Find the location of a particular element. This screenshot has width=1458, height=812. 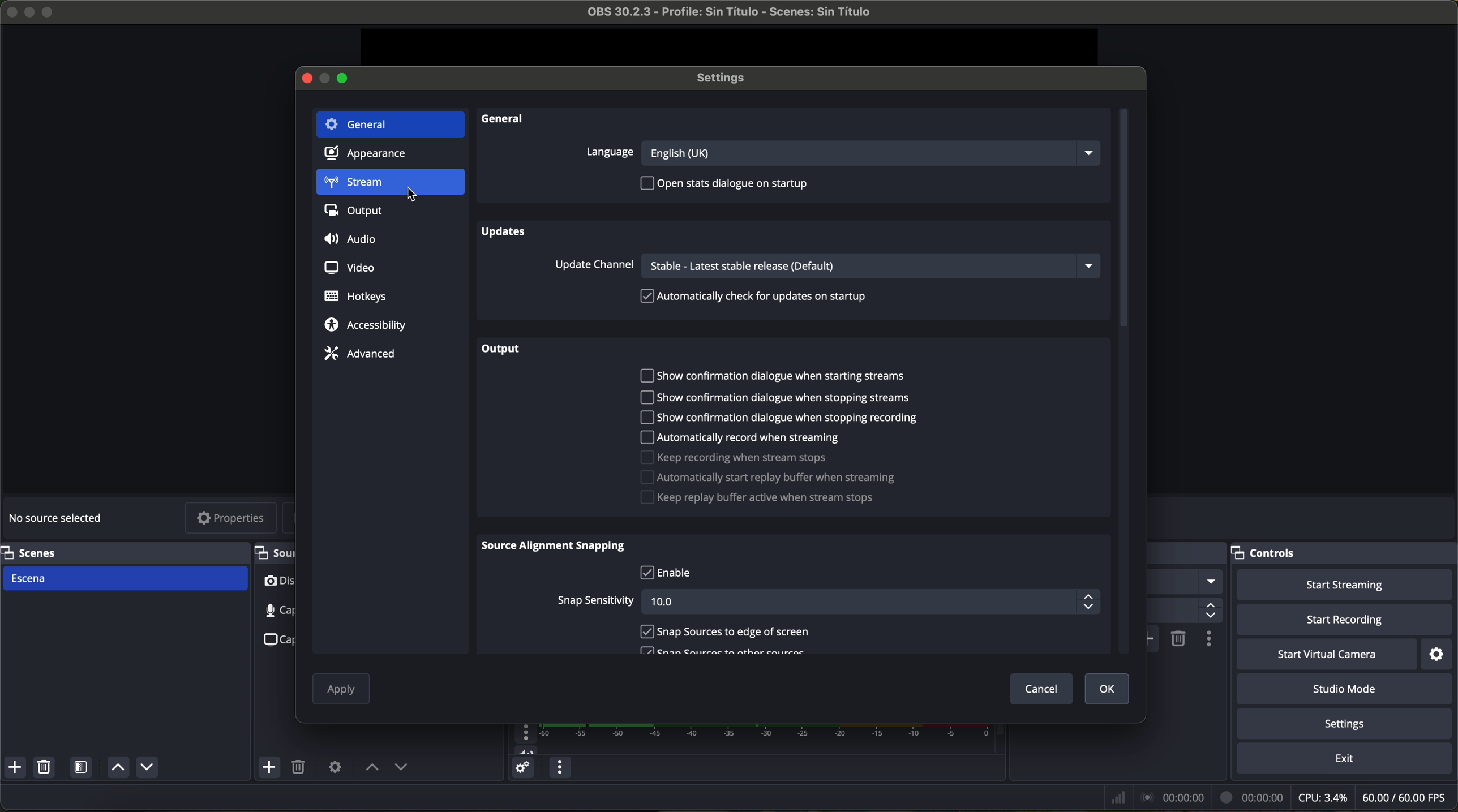

screenshot is located at coordinates (276, 639).